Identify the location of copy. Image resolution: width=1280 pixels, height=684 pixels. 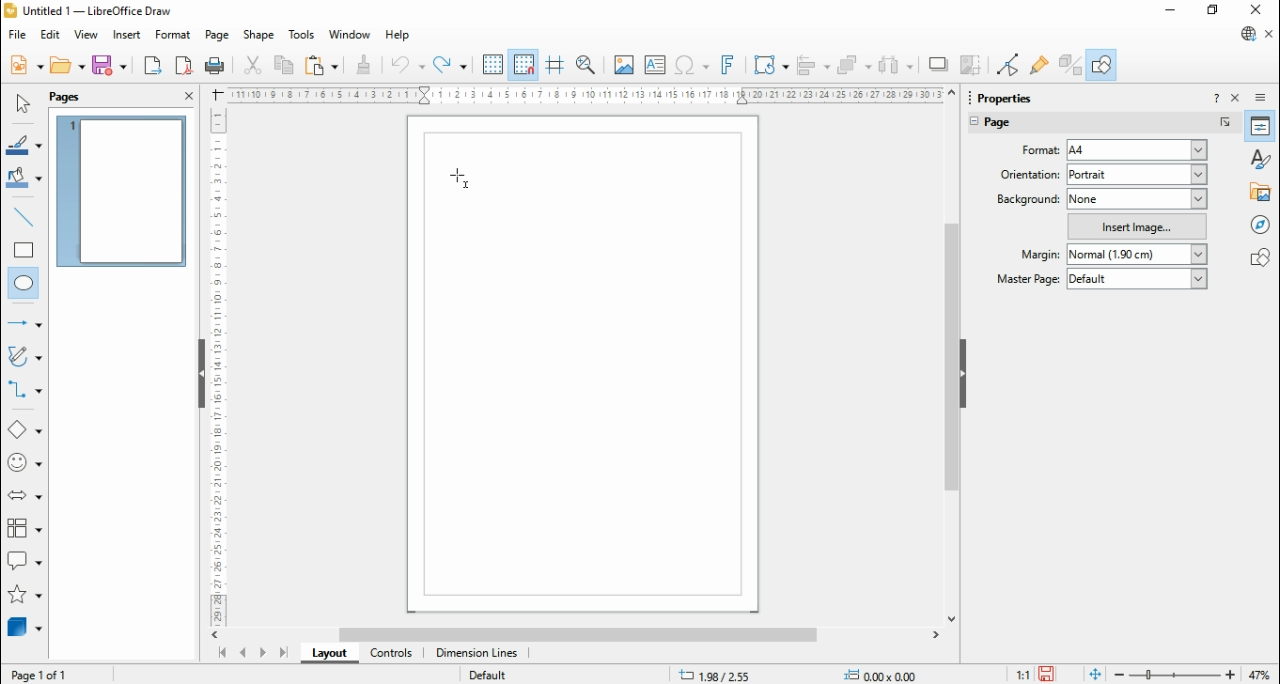
(284, 64).